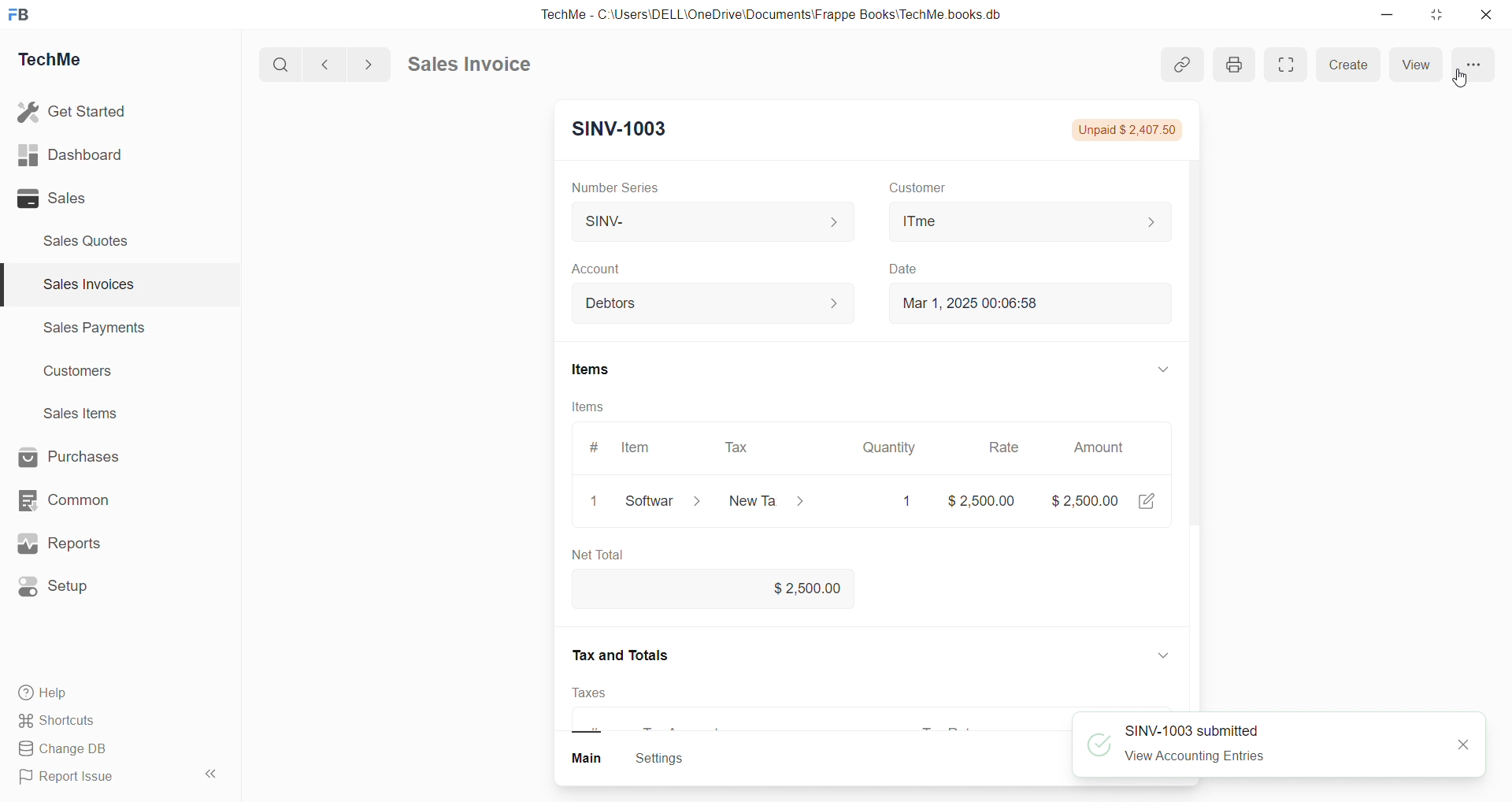  What do you see at coordinates (598, 408) in the screenshot?
I see `Items` at bounding box center [598, 408].